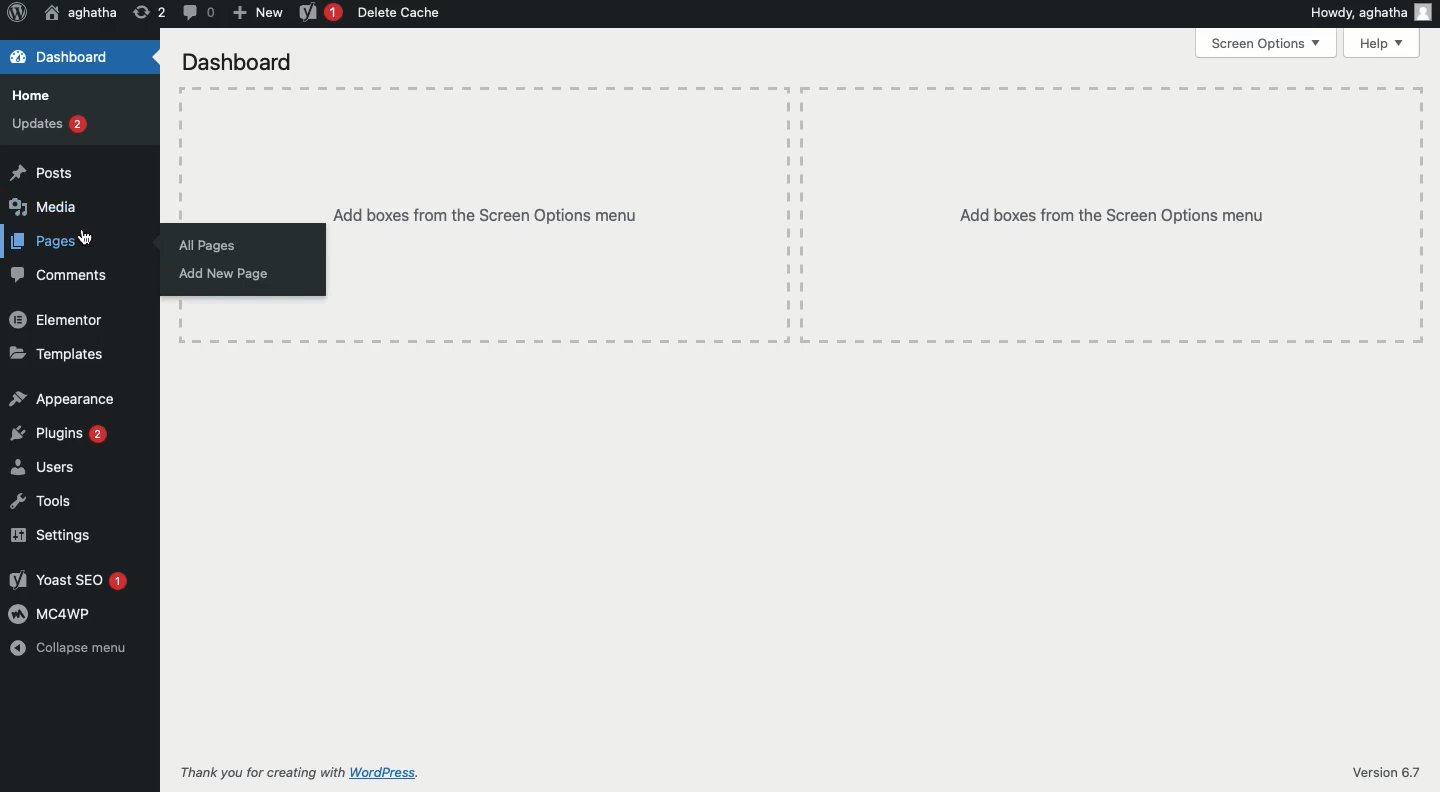  What do you see at coordinates (63, 398) in the screenshot?
I see `Appearance` at bounding box center [63, 398].